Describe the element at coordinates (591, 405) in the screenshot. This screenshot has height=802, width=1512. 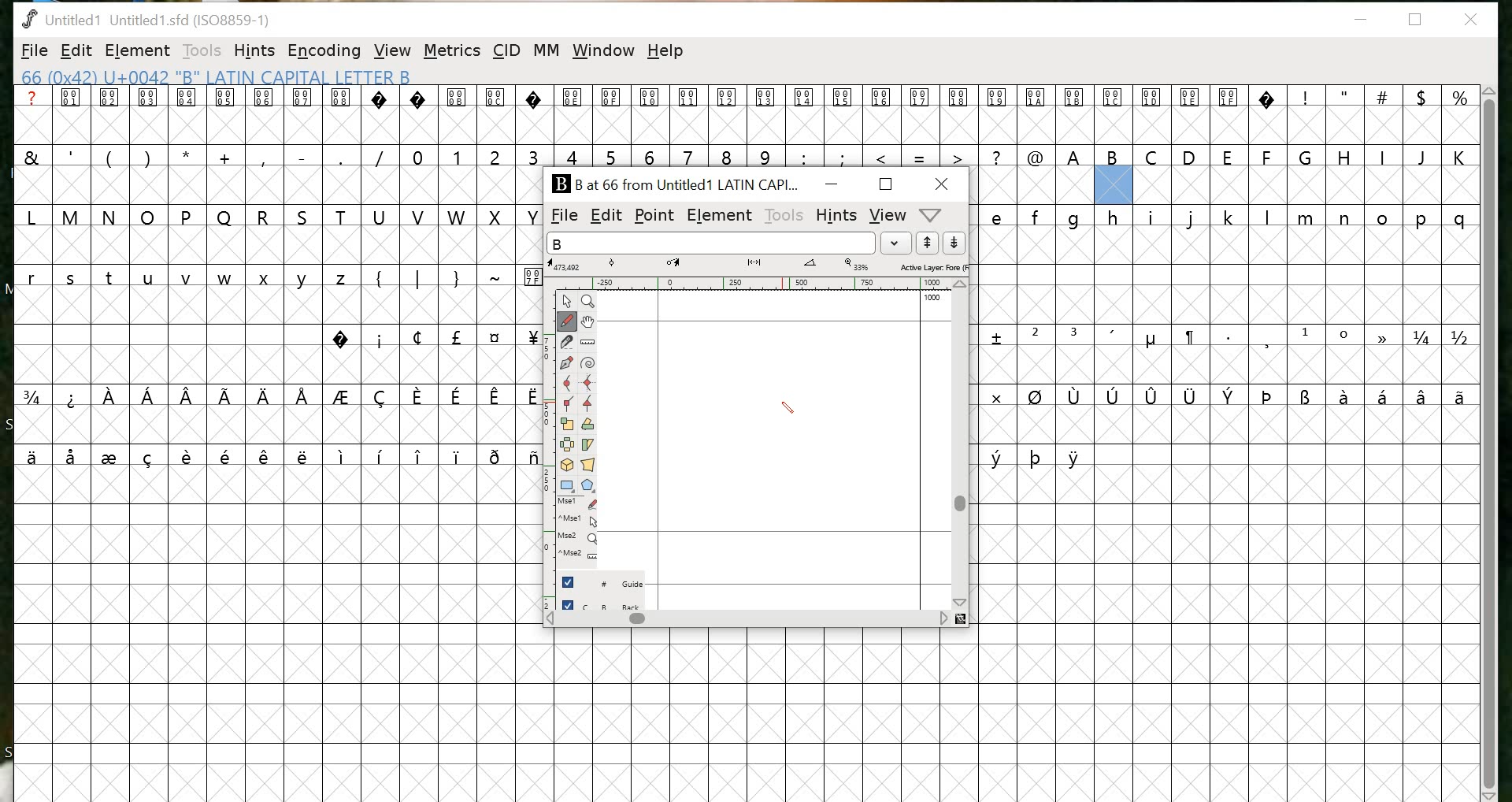
I see `Tangent` at that location.